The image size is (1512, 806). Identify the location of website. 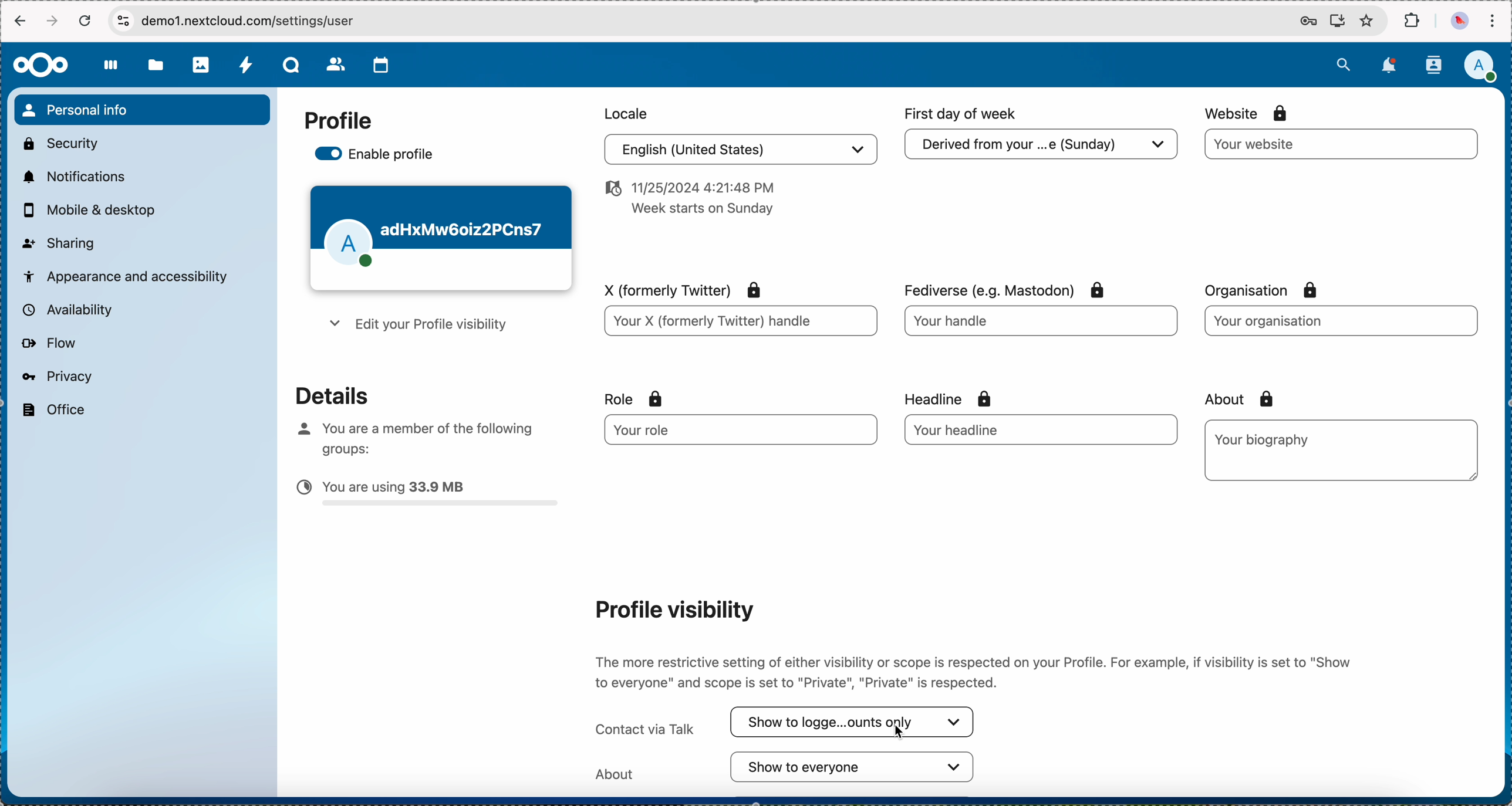
(1342, 144).